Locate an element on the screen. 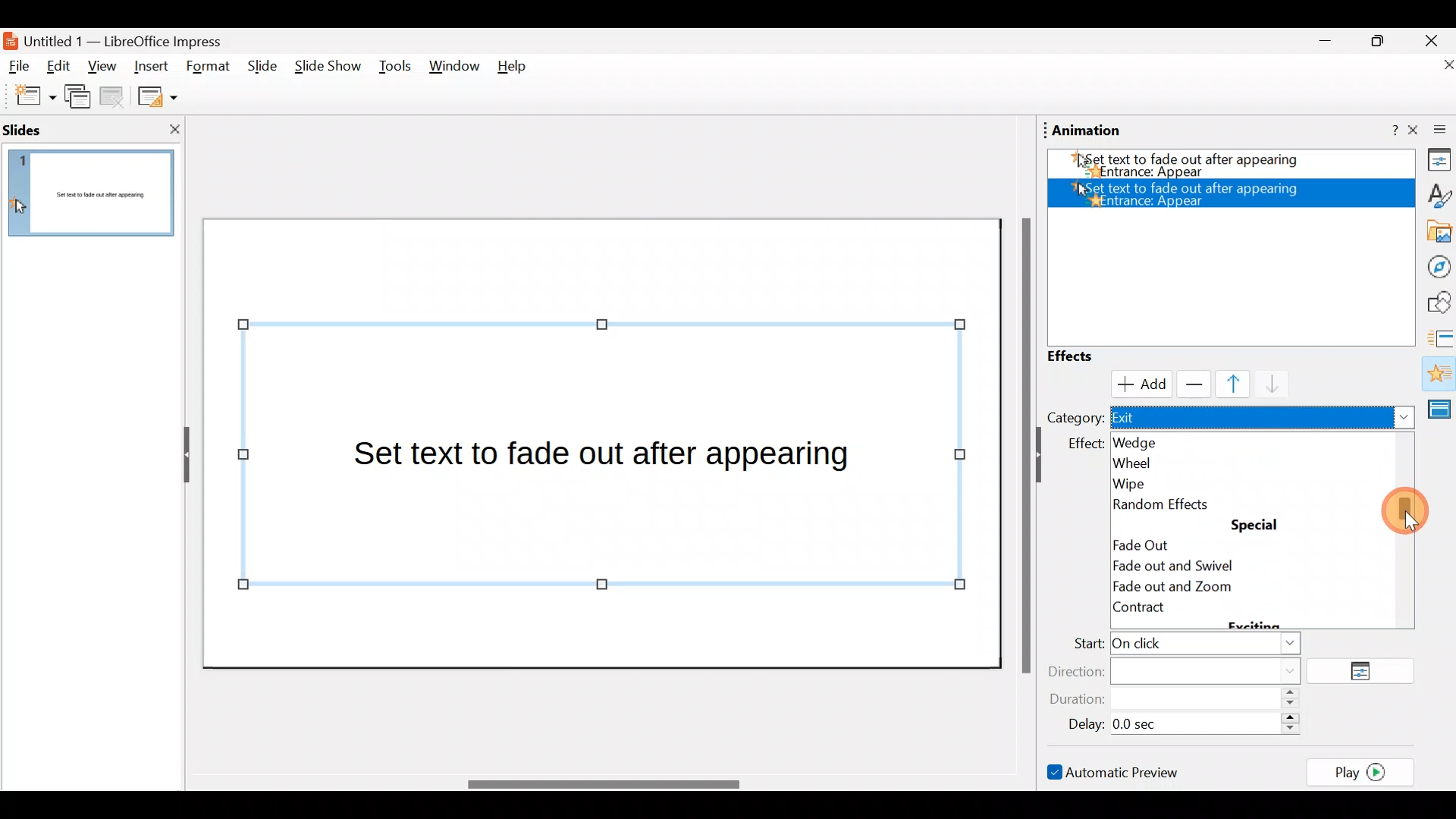  Category is located at coordinates (1075, 417).